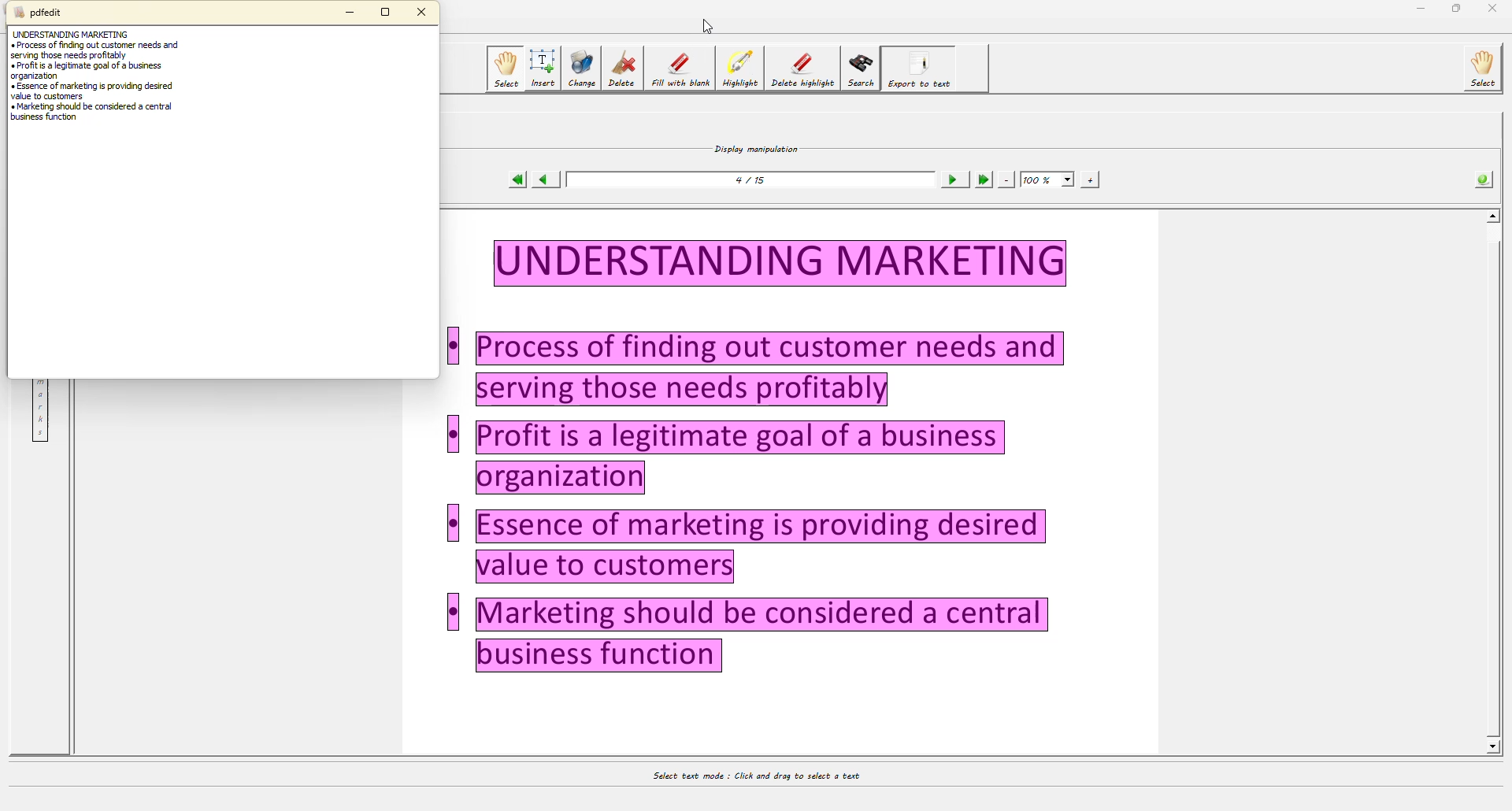 Image resolution: width=1512 pixels, height=811 pixels. What do you see at coordinates (981, 180) in the screenshot?
I see `last page` at bounding box center [981, 180].